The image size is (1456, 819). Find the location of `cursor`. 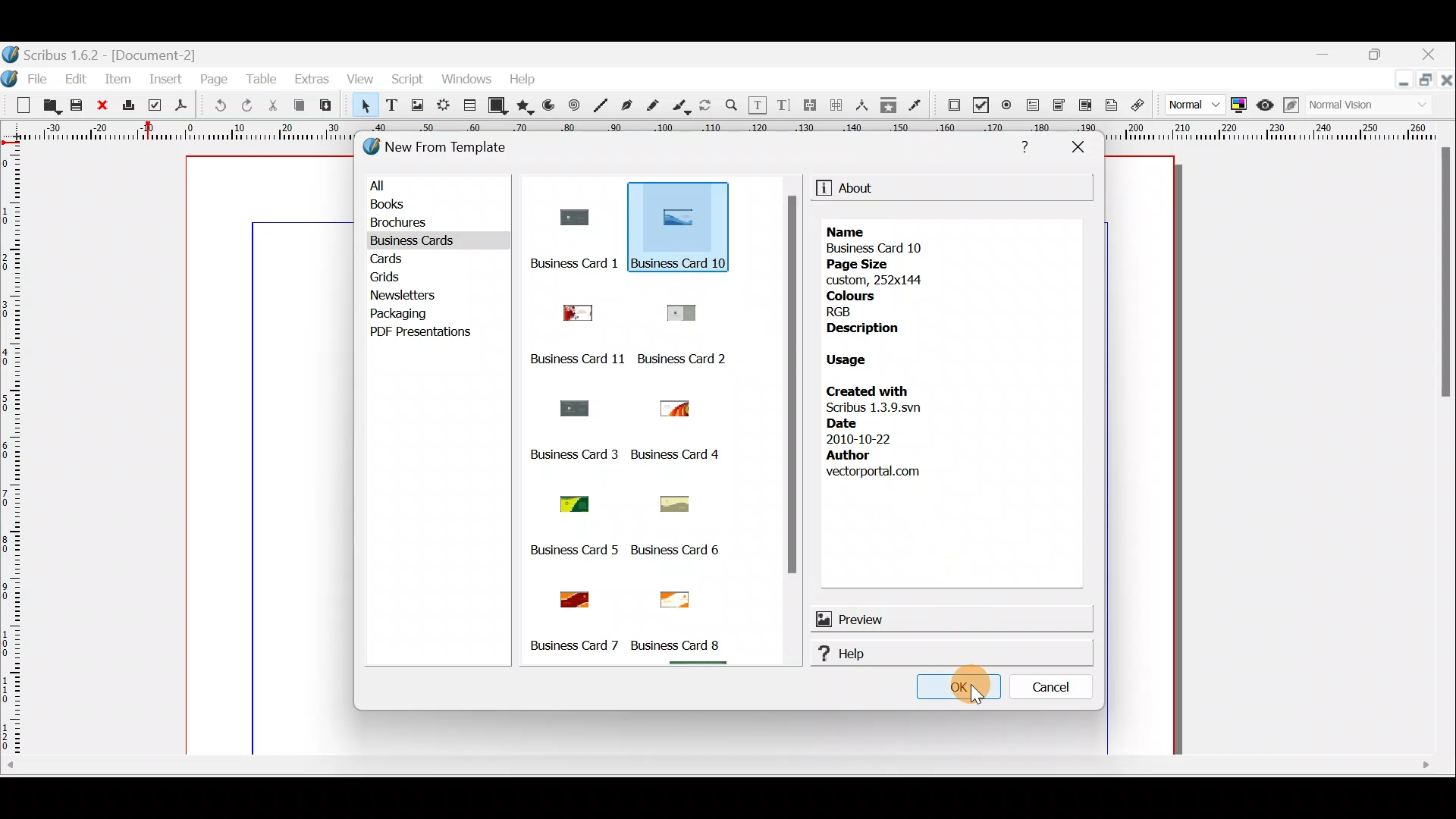

cursor is located at coordinates (959, 688).